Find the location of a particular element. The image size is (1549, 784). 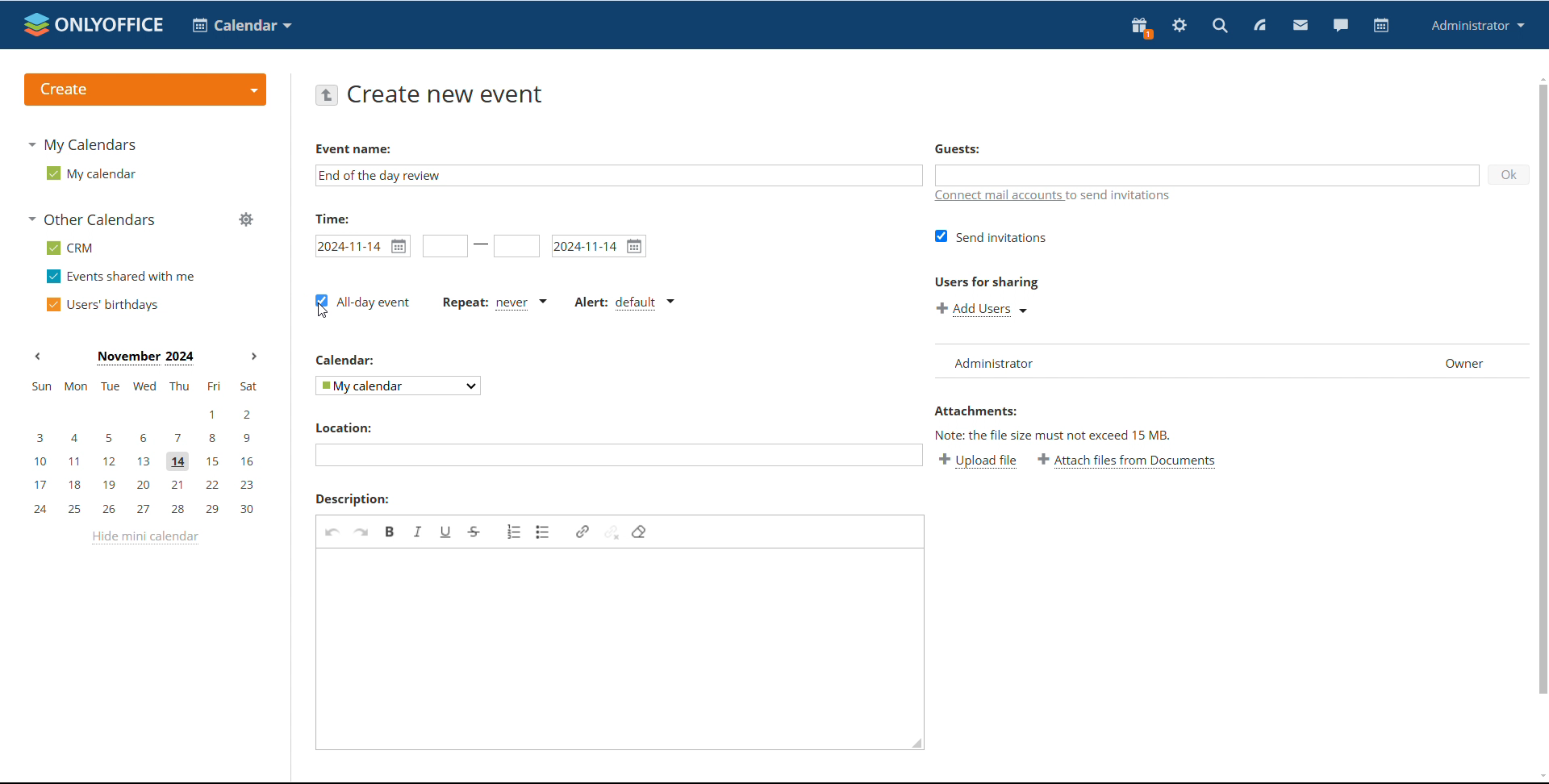

create new event is located at coordinates (449, 94).